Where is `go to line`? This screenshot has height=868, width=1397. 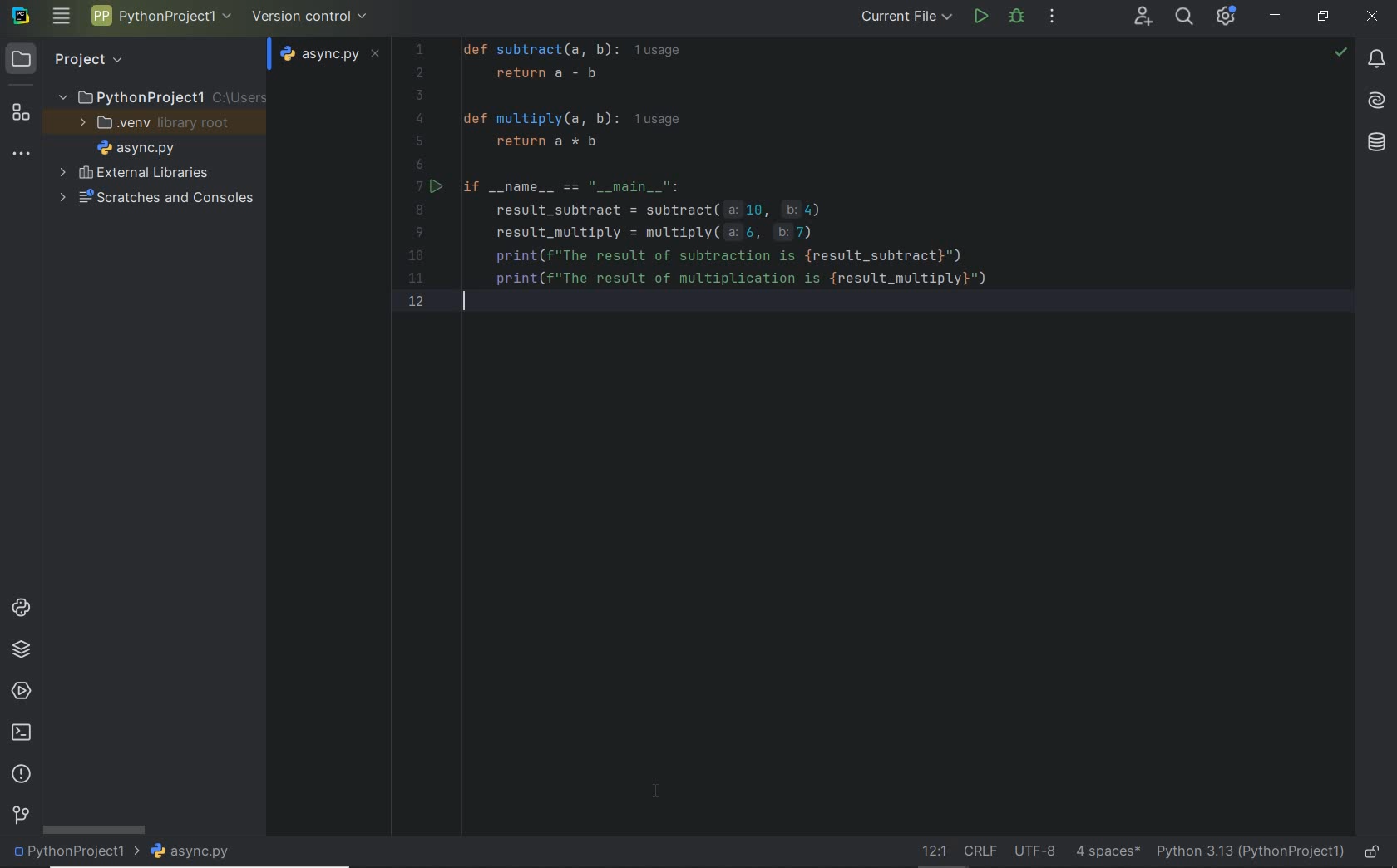
go to line is located at coordinates (935, 850).